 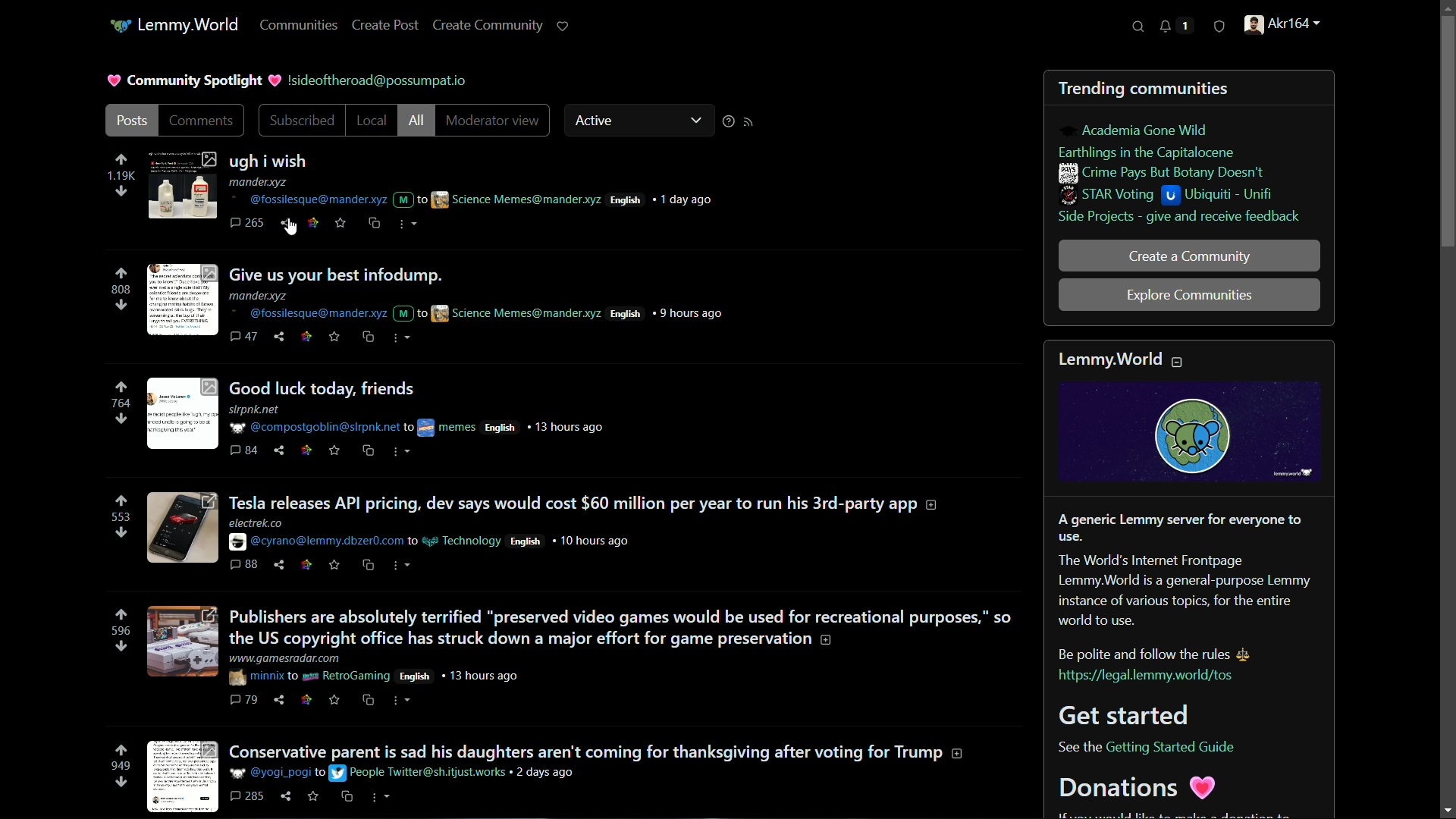 What do you see at coordinates (293, 676) in the screenshot?
I see `to` at bounding box center [293, 676].